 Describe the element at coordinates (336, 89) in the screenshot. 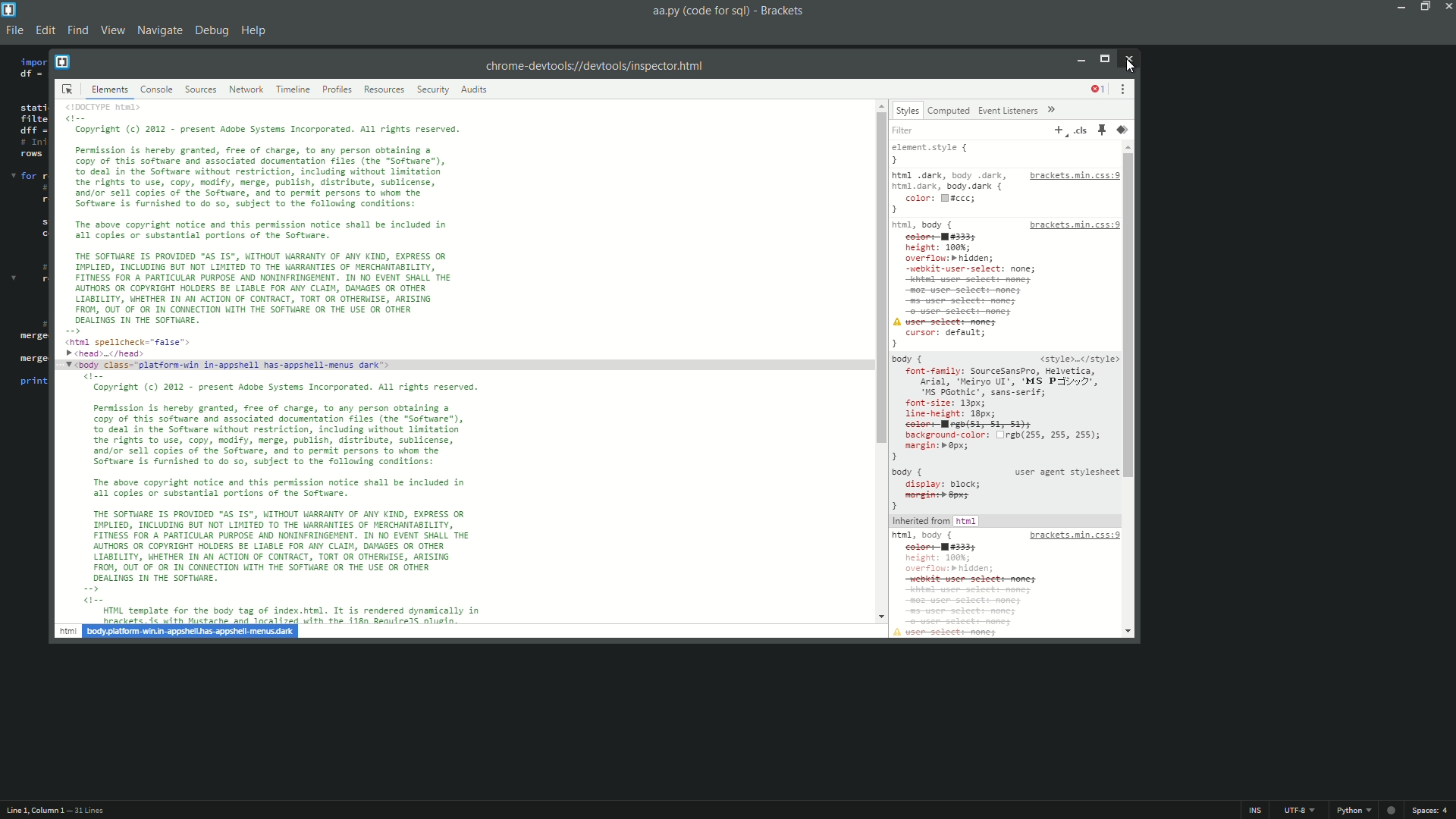

I see `profiles` at that location.